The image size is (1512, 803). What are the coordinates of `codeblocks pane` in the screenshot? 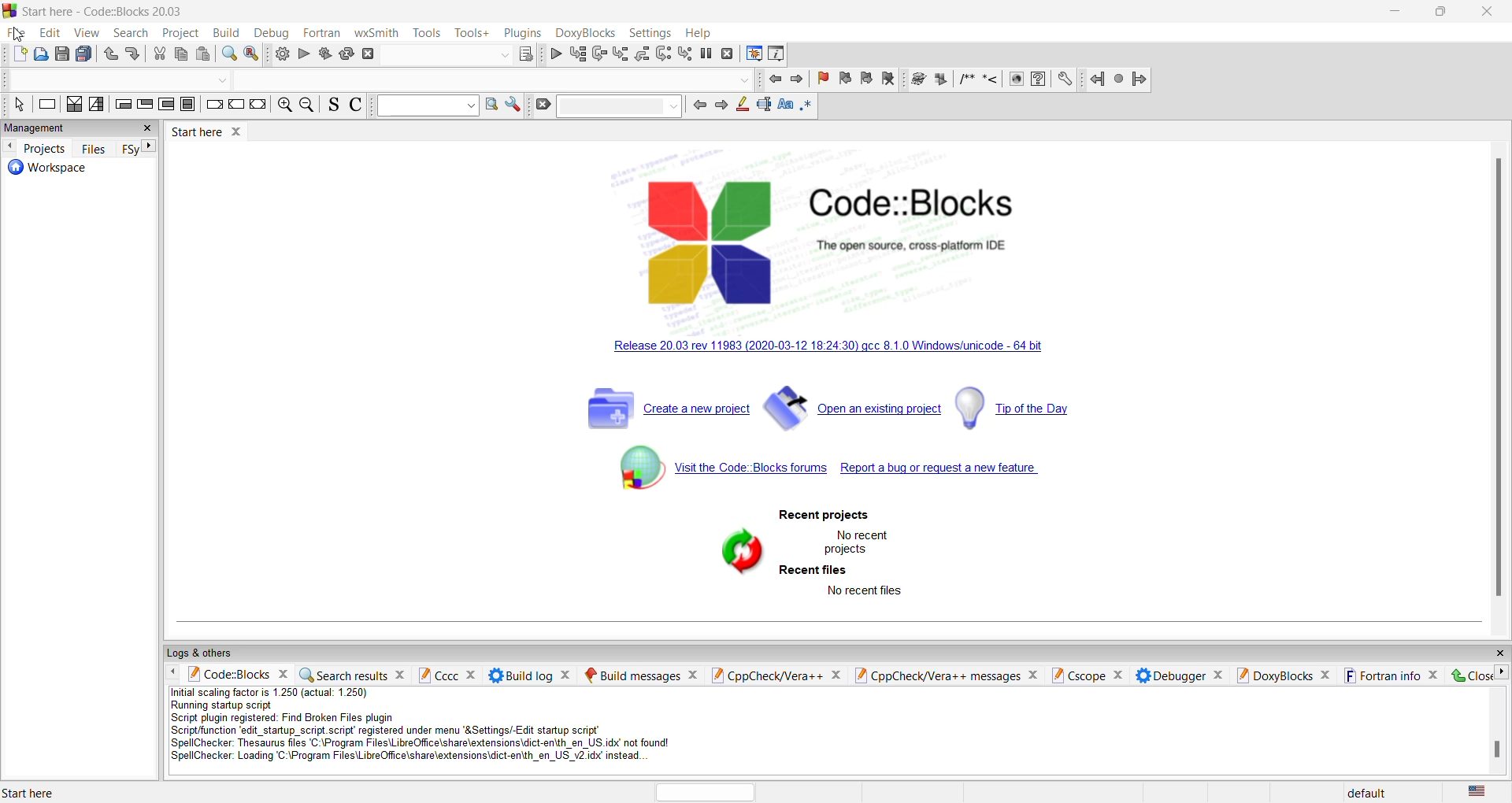 It's located at (228, 675).